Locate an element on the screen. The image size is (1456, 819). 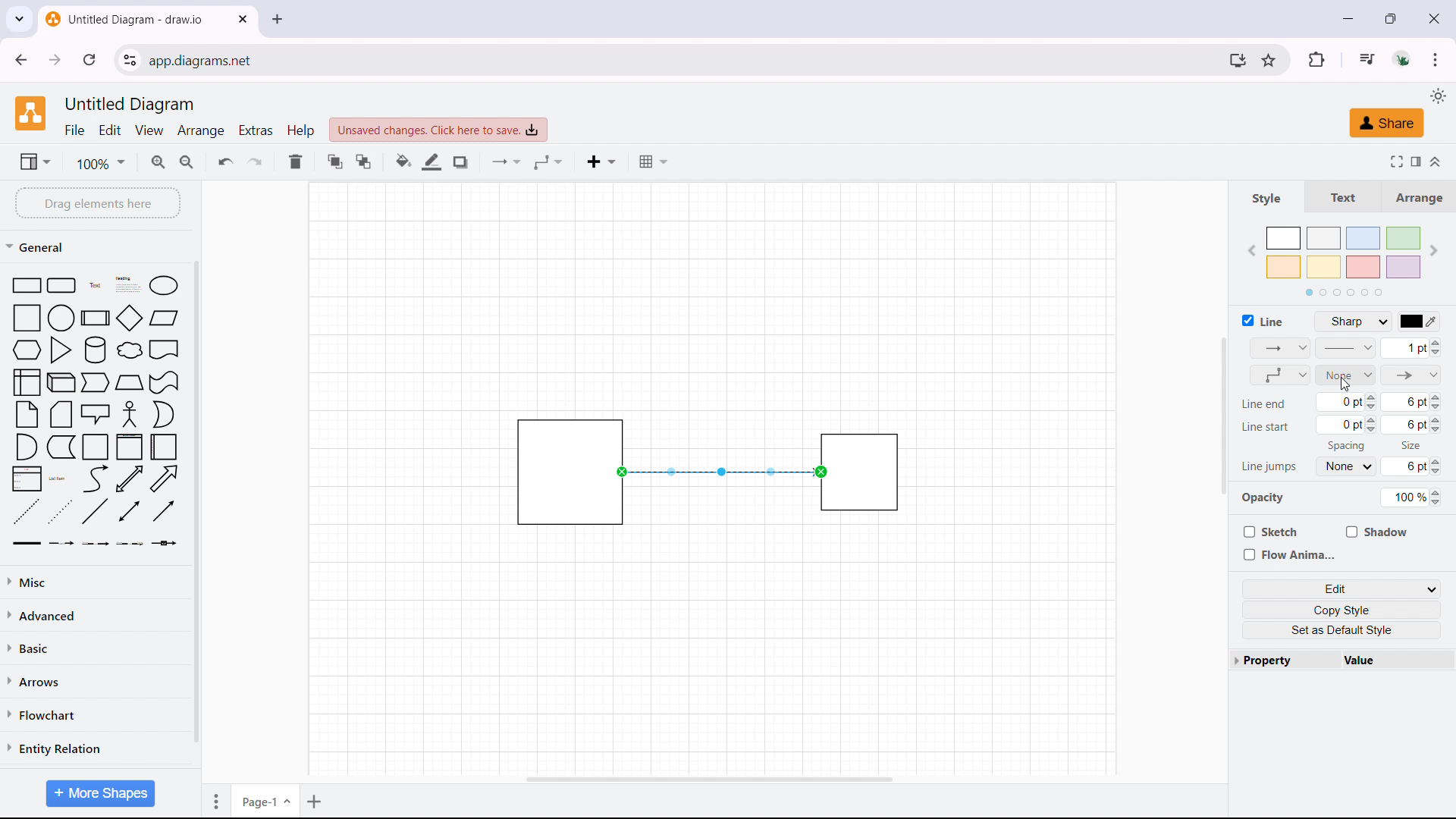
zoom out is located at coordinates (188, 160).